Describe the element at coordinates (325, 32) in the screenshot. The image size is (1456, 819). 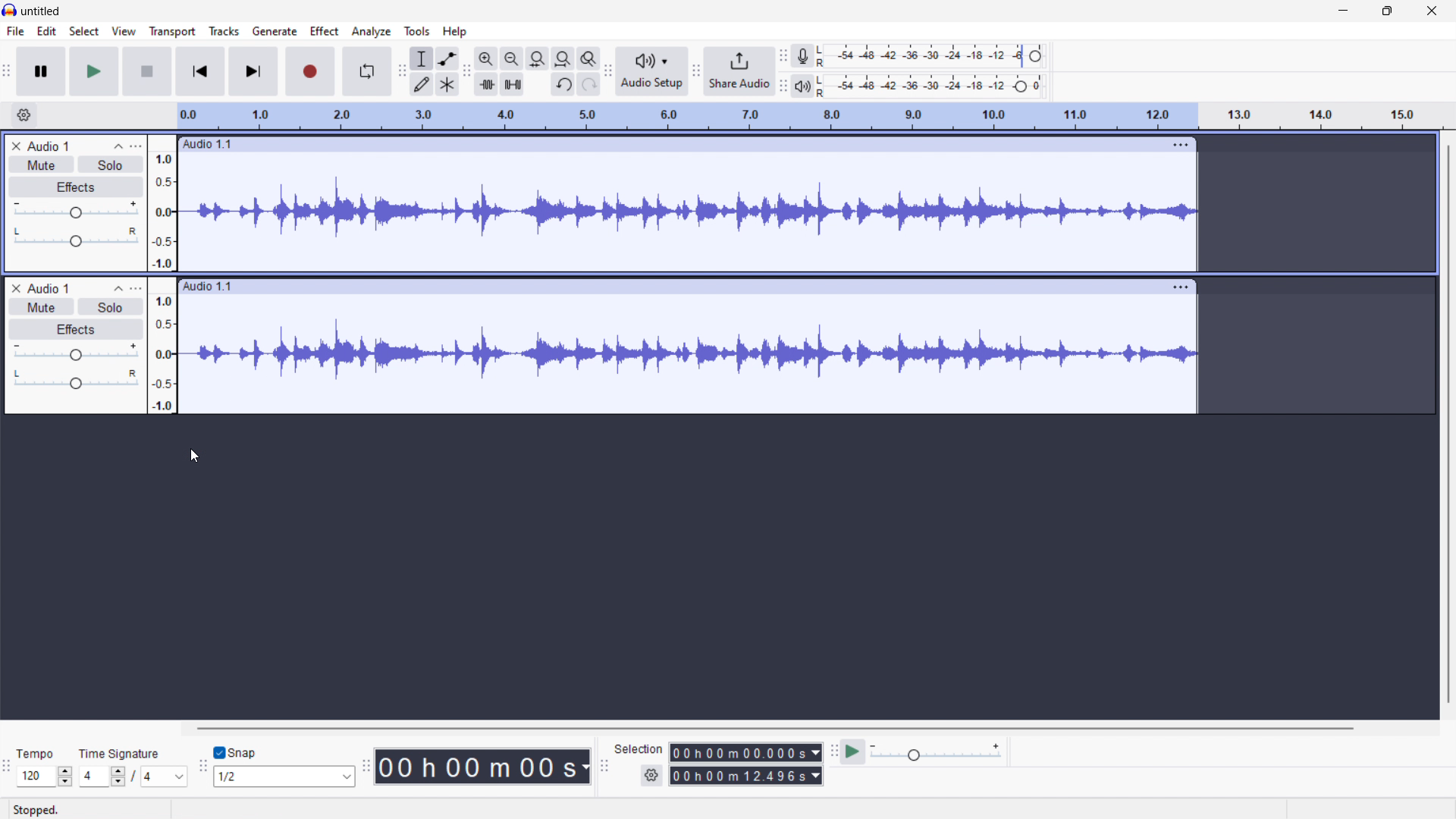
I see `effect` at that location.